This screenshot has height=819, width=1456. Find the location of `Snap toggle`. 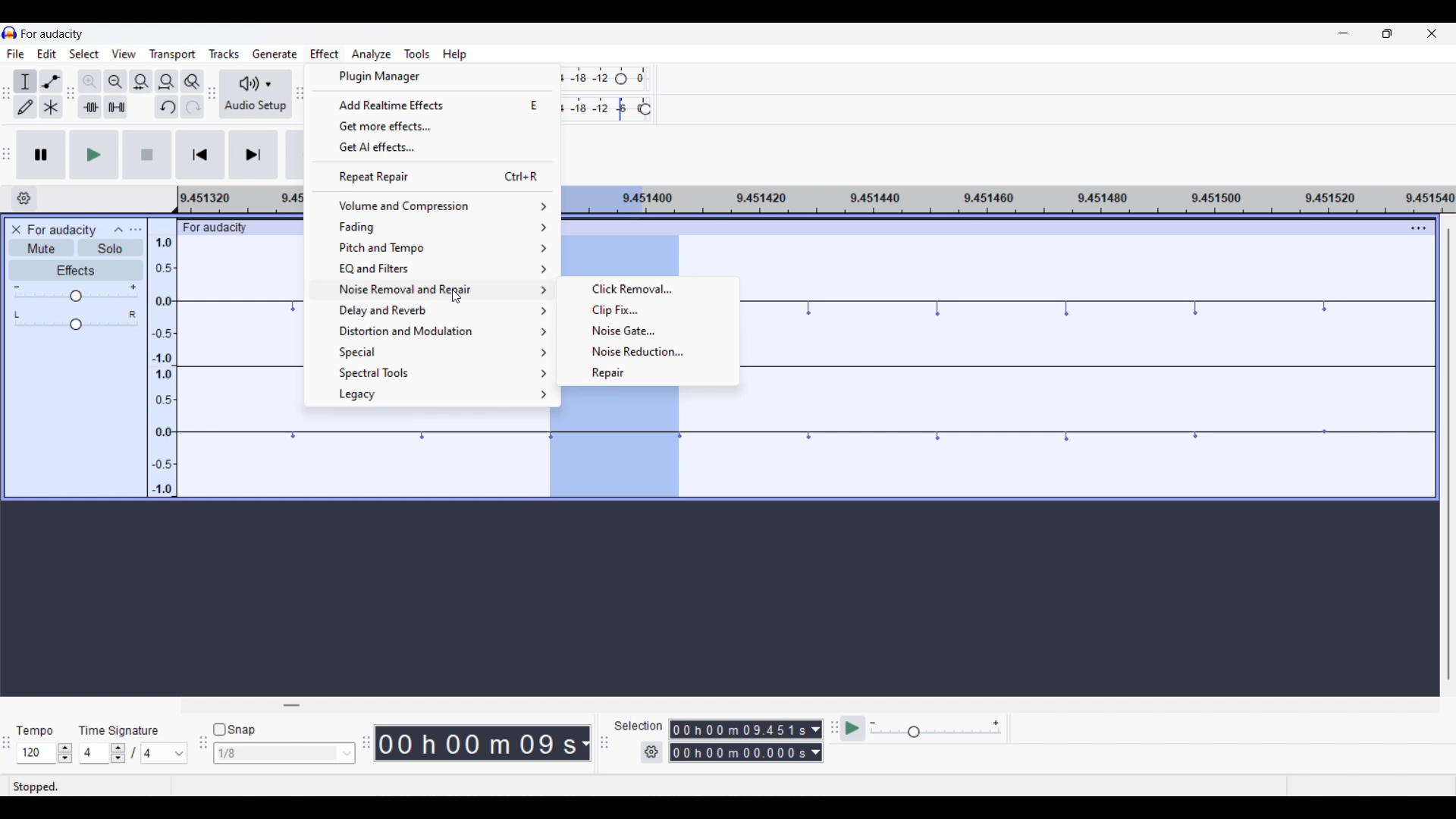

Snap toggle is located at coordinates (234, 729).